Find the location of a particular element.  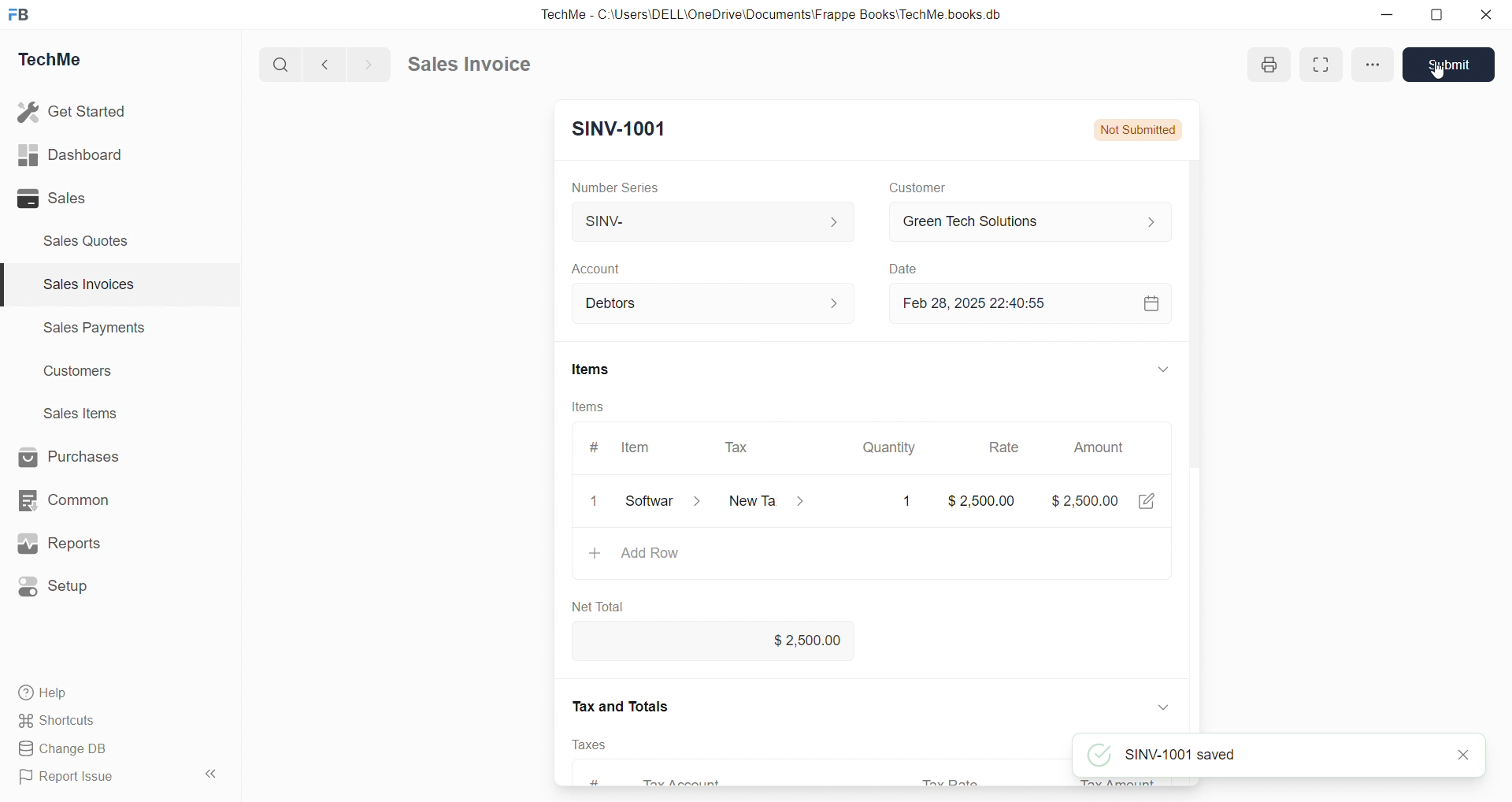

enlarge is located at coordinates (1321, 65).